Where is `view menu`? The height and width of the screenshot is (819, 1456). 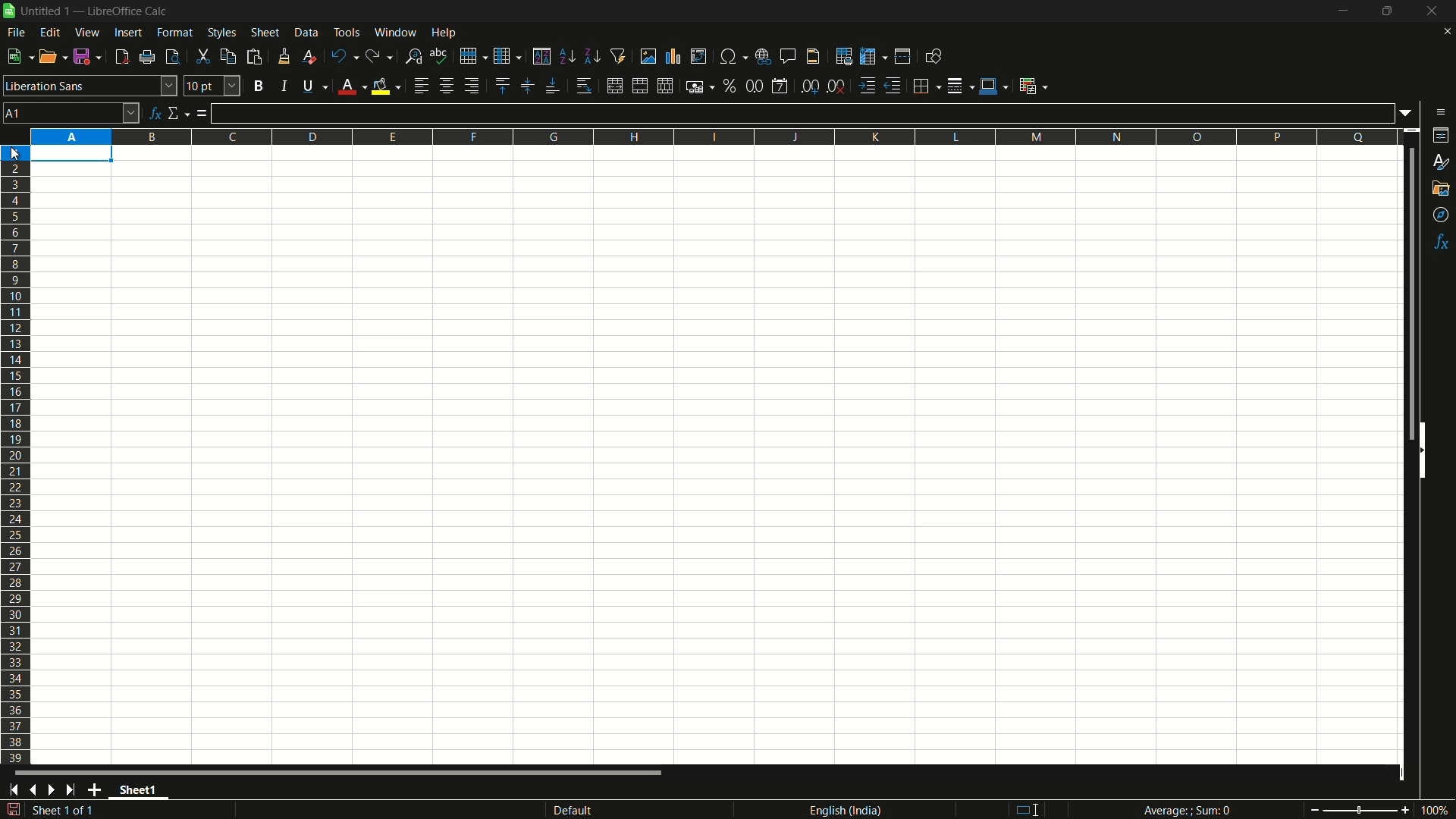 view menu is located at coordinates (88, 33).